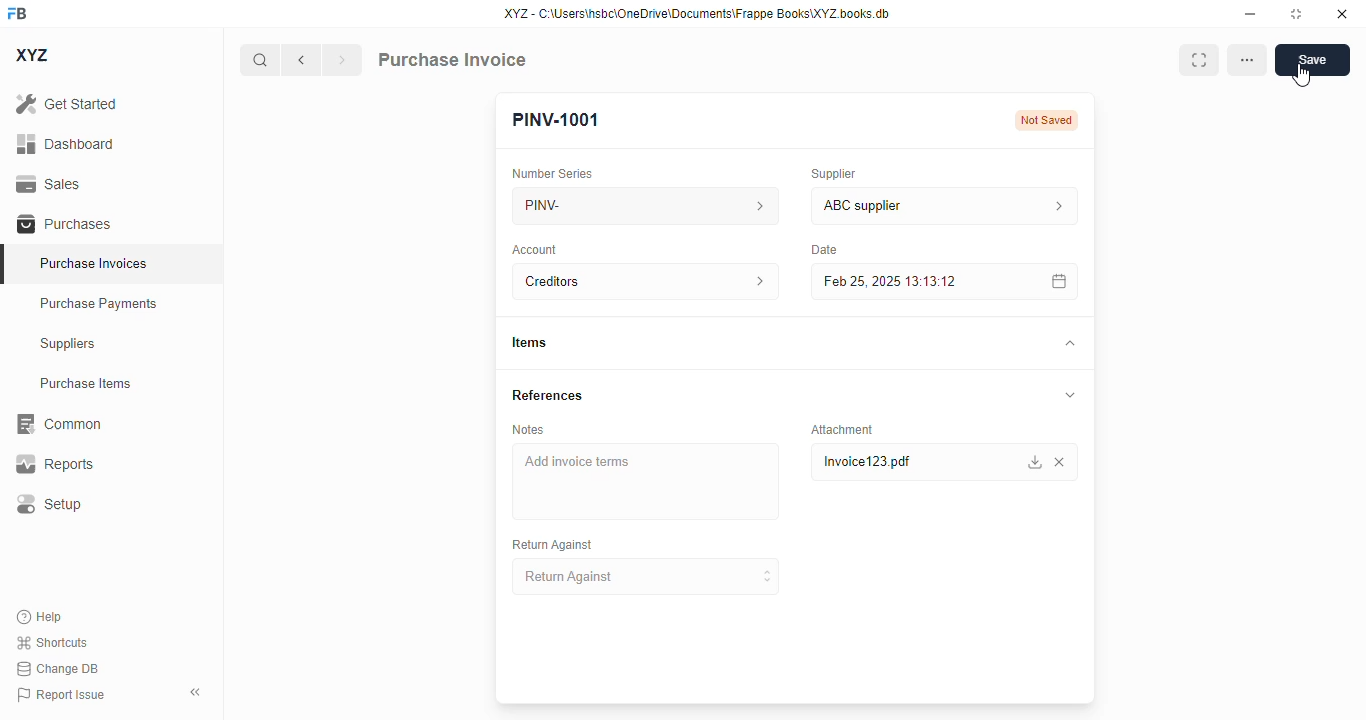 The width and height of the screenshot is (1366, 720). What do you see at coordinates (342, 60) in the screenshot?
I see `next` at bounding box center [342, 60].